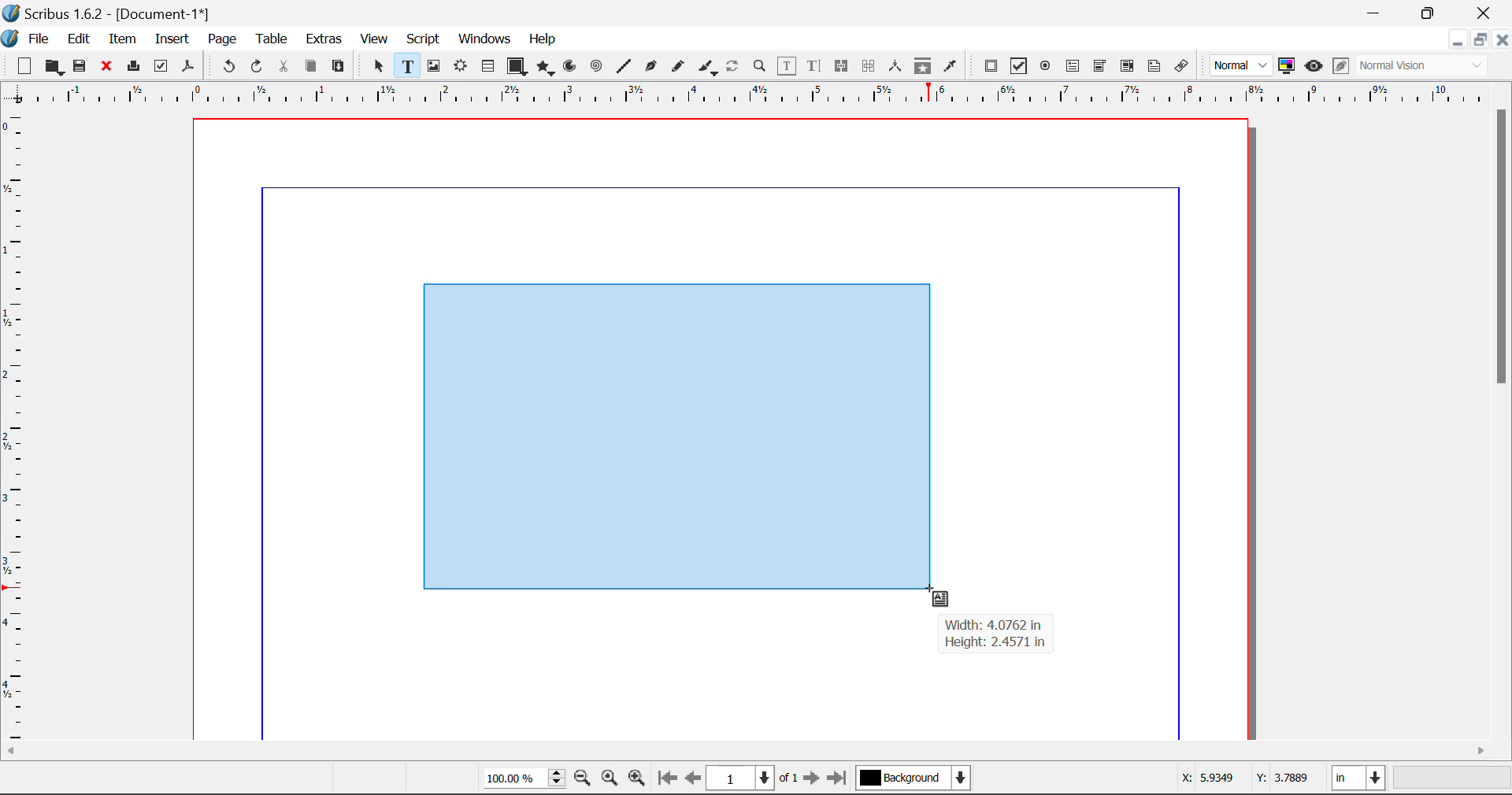 This screenshot has height=795, width=1512. Describe the element at coordinates (132, 67) in the screenshot. I see `Print` at that location.